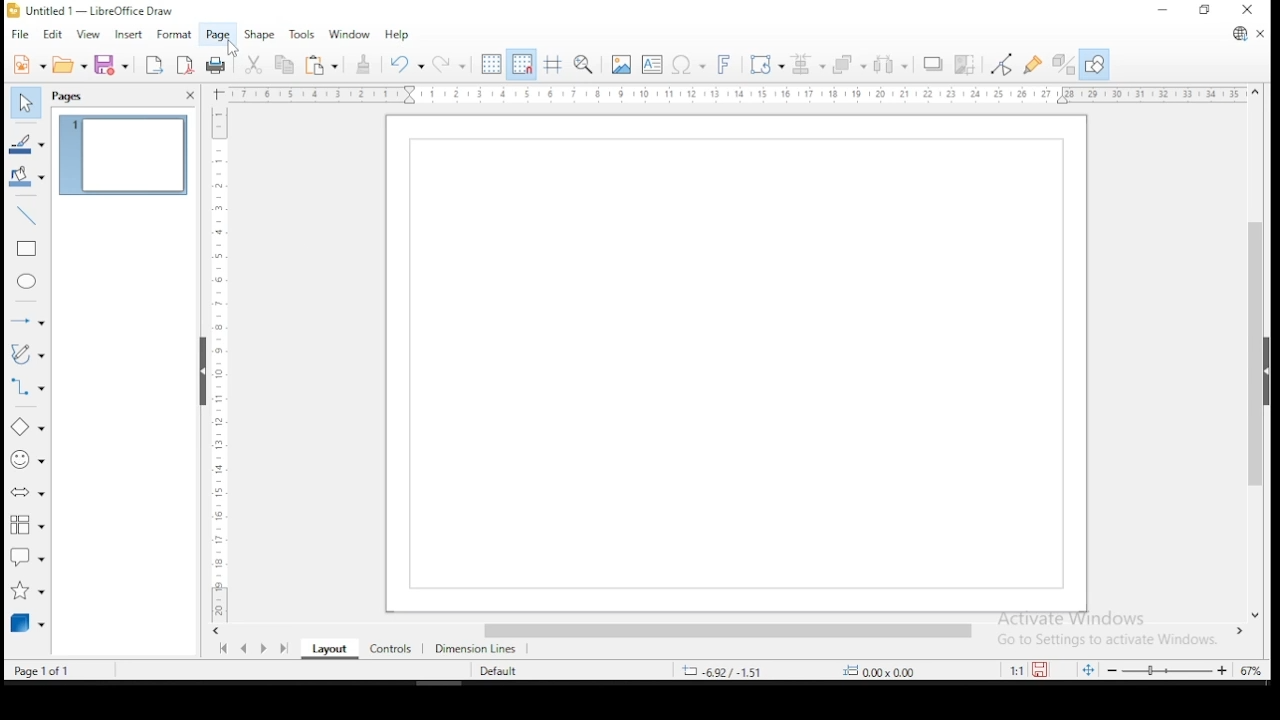 The width and height of the screenshot is (1280, 720). What do you see at coordinates (25, 63) in the screenshot?
I see `new` at bounding box center [25, 63].